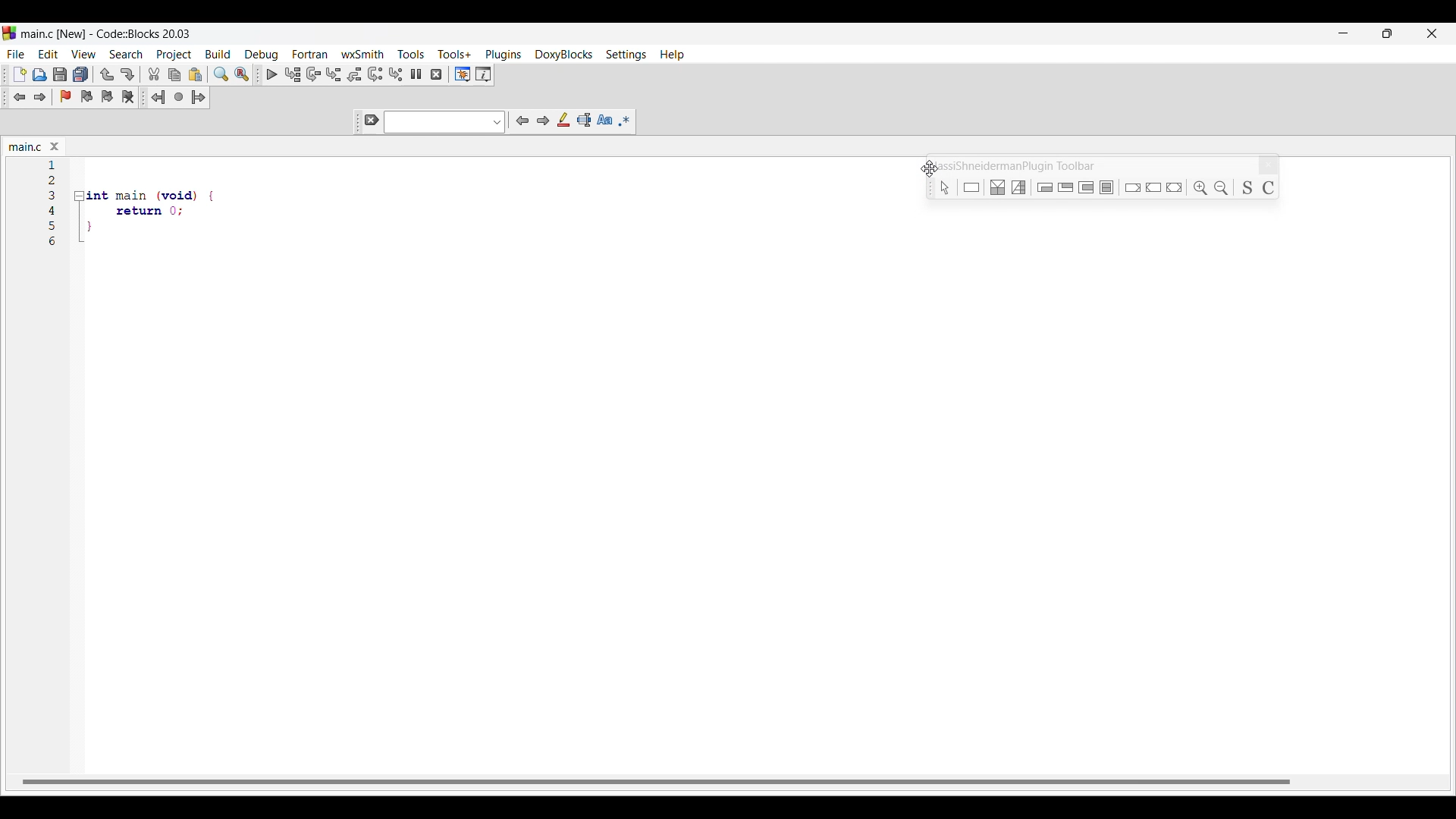 This screenshot has width=1456, height=819. Describe the element at coordinates (1432, 33) in the screenshot. I see `Close interface` at that location.